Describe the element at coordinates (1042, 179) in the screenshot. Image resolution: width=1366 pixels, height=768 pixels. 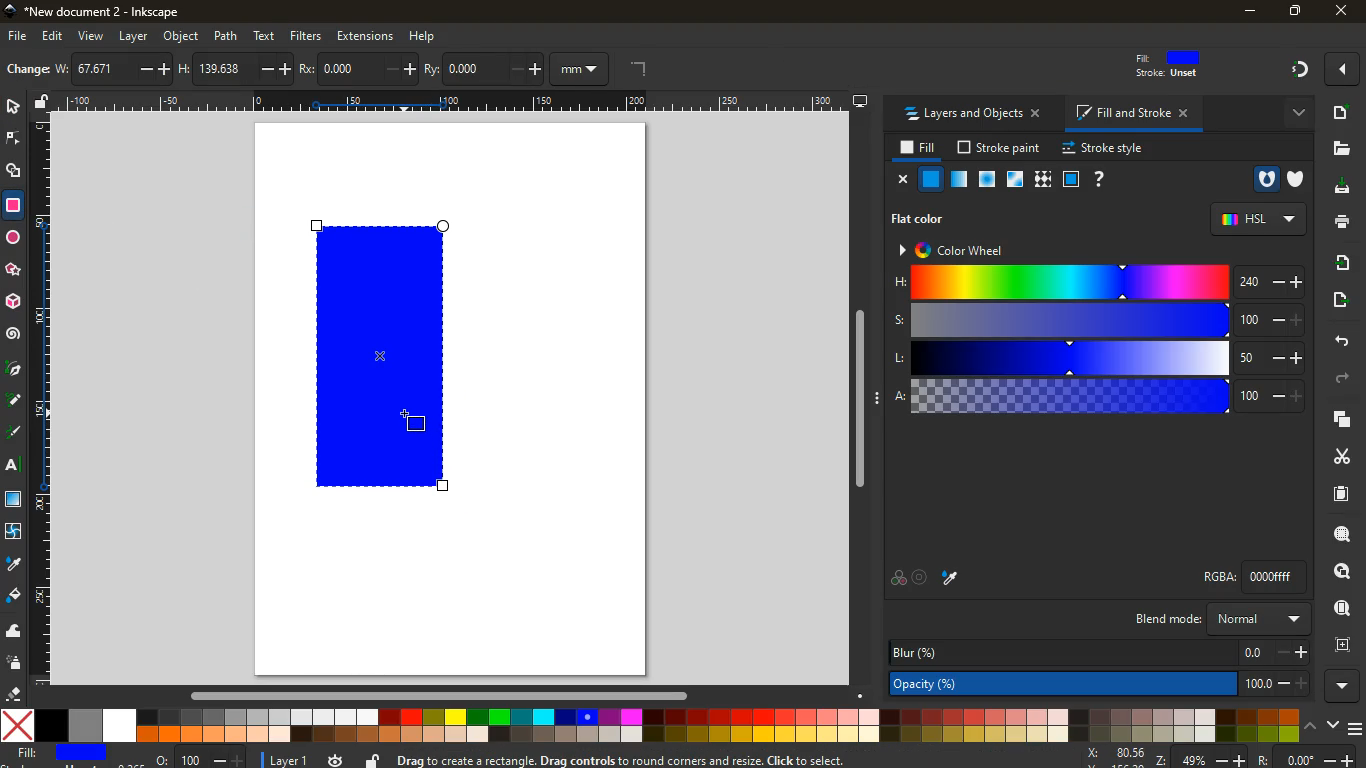
I see `texture` at that location.